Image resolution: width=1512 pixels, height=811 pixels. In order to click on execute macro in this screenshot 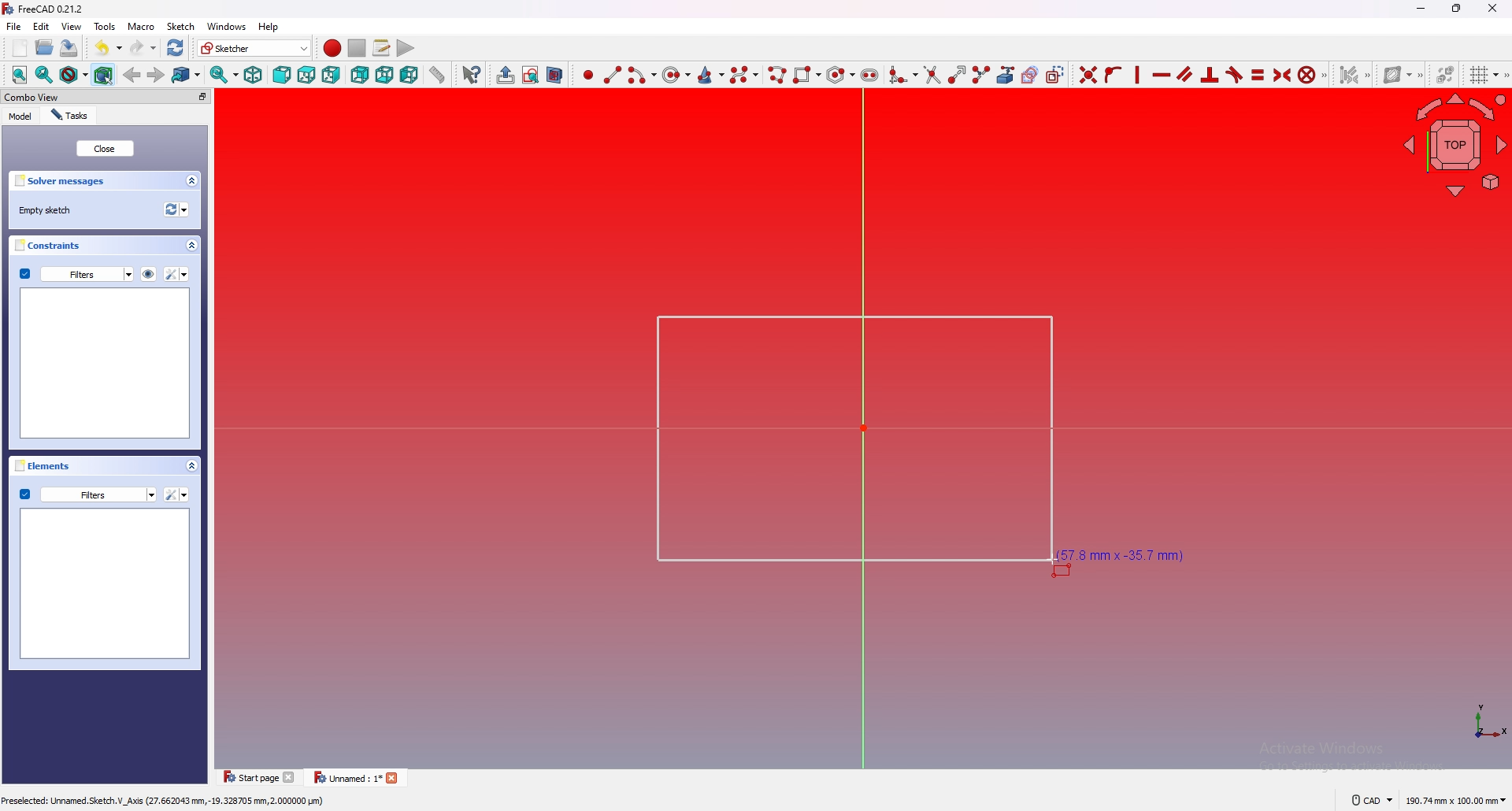, I will do `click(406, 48)`.